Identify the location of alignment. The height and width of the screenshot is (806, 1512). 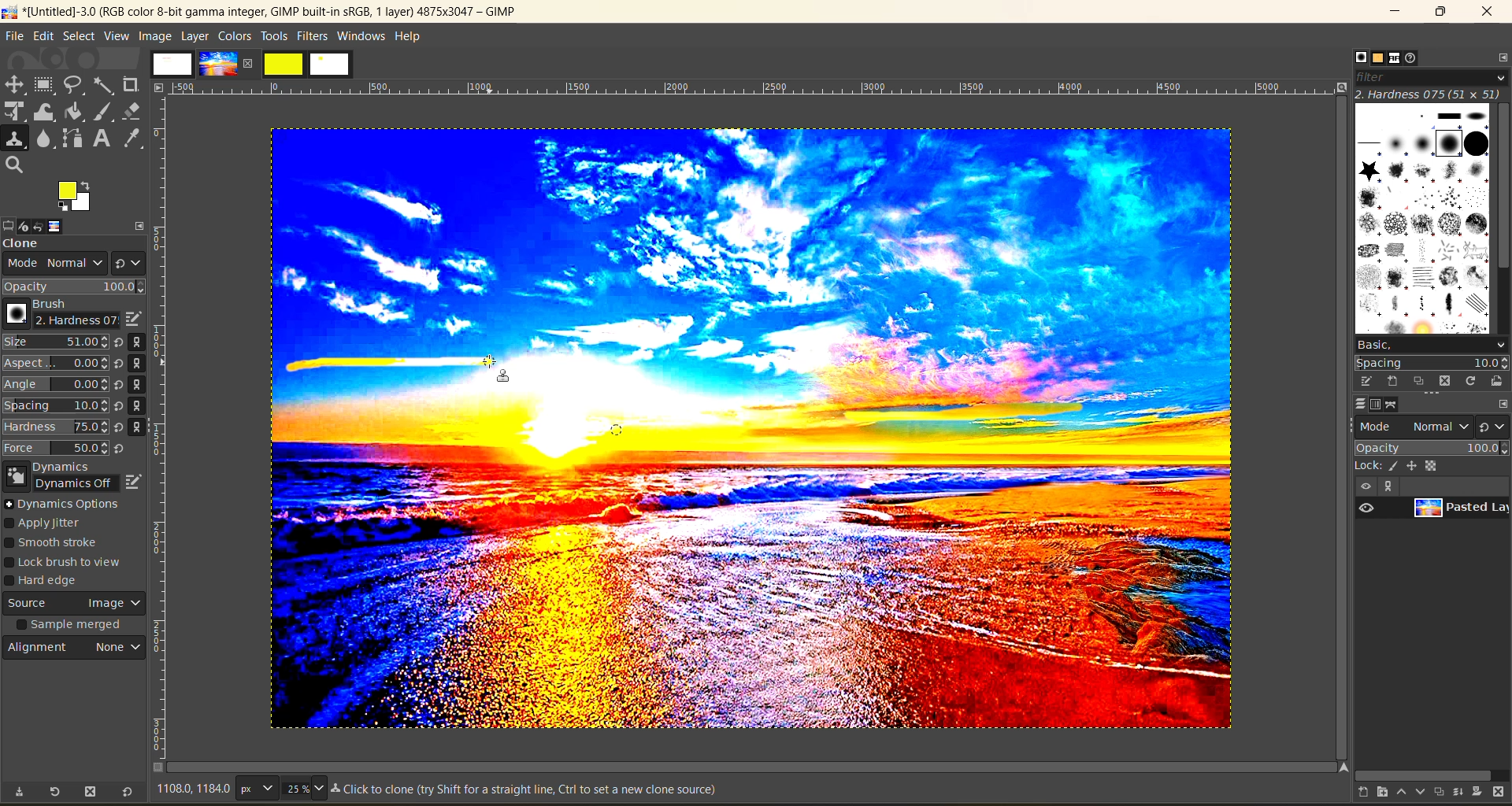
(76, 651).